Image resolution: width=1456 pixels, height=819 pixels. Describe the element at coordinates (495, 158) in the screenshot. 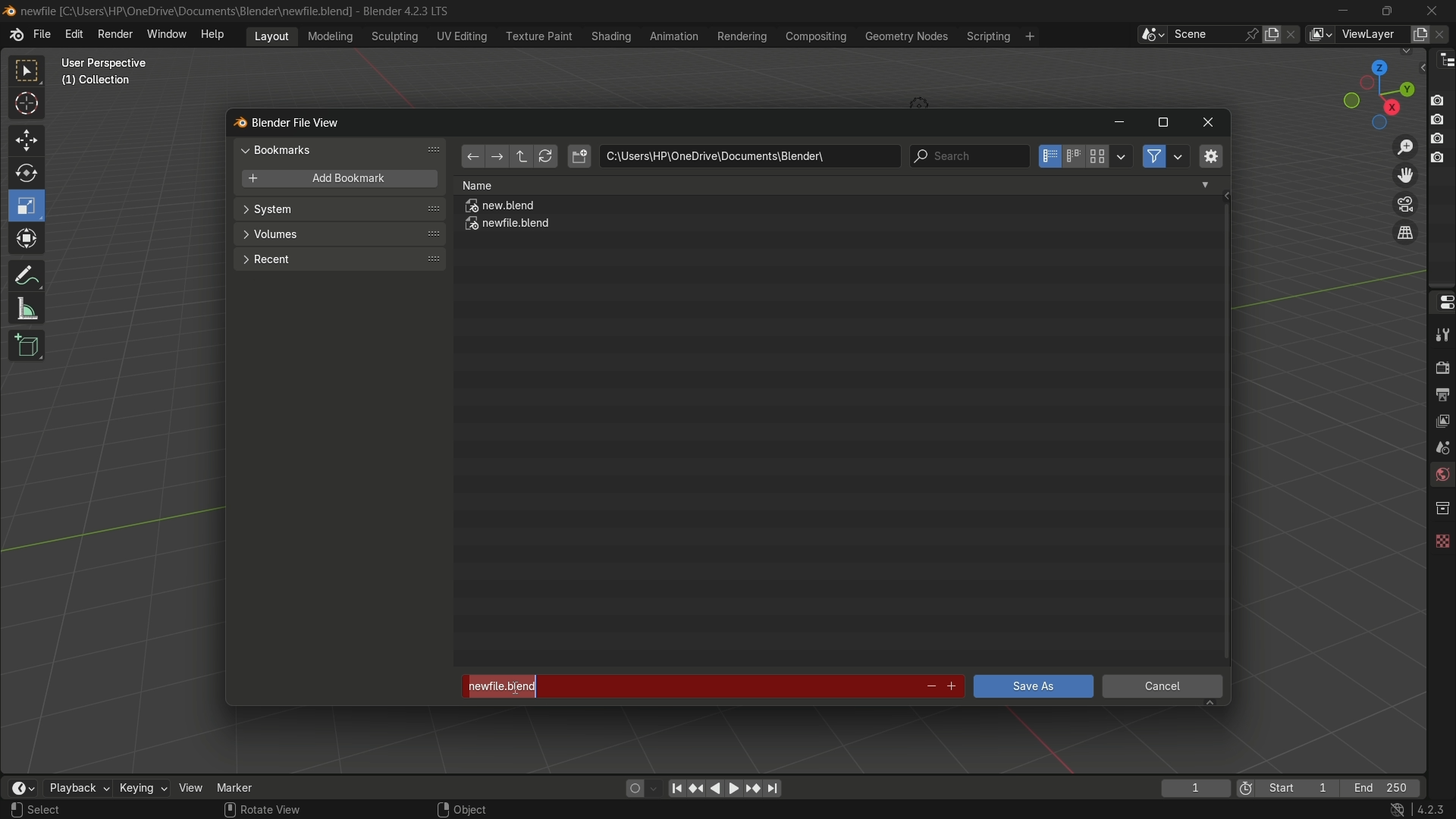

I see `forward` at that location.